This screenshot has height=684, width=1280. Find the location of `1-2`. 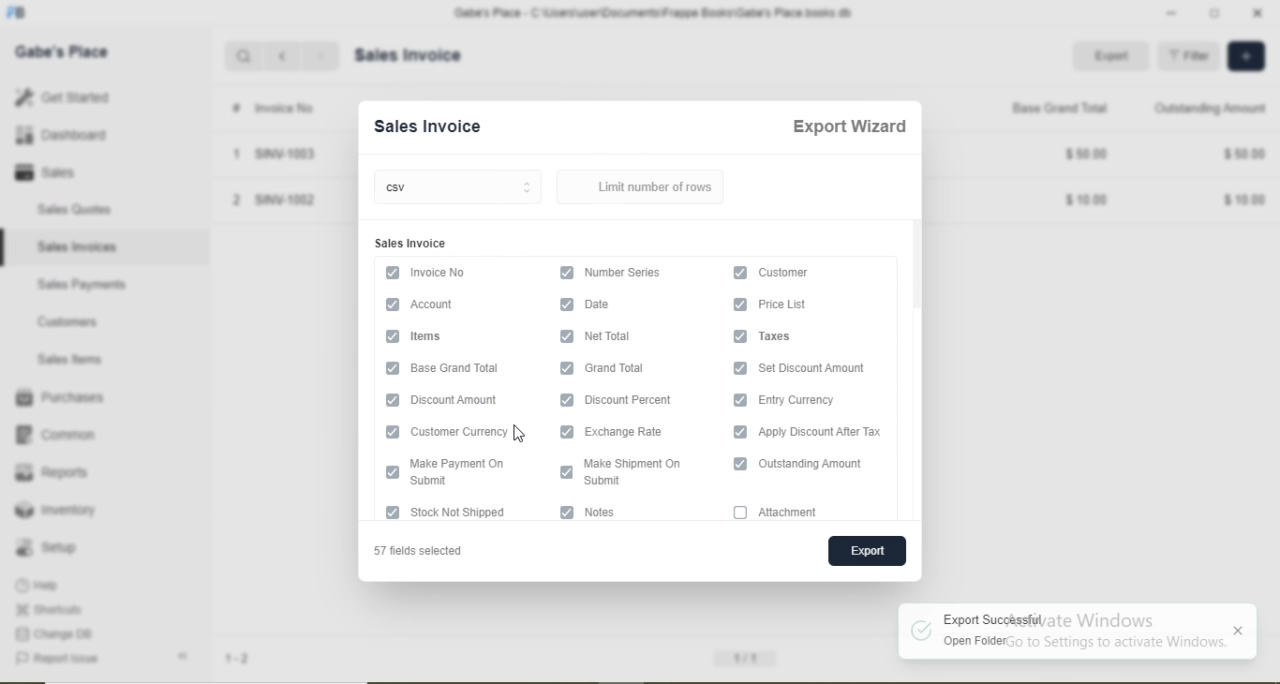

1-2 is located at coordinates (245, 660).